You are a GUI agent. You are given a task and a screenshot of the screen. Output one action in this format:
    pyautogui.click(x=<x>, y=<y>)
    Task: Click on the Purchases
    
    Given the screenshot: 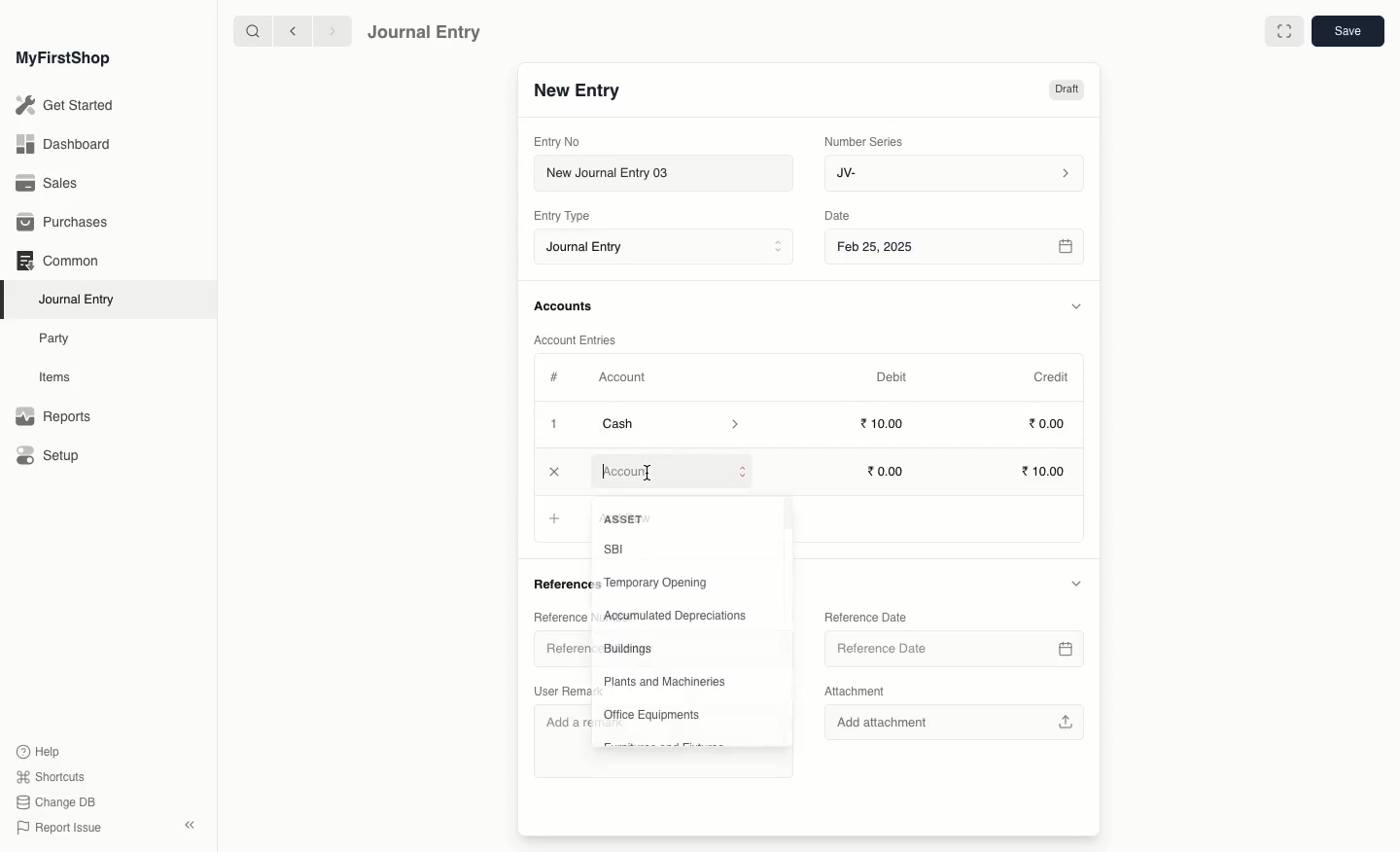 What is the action you would take?
    pyautogui.click(x=67, y=223)
    